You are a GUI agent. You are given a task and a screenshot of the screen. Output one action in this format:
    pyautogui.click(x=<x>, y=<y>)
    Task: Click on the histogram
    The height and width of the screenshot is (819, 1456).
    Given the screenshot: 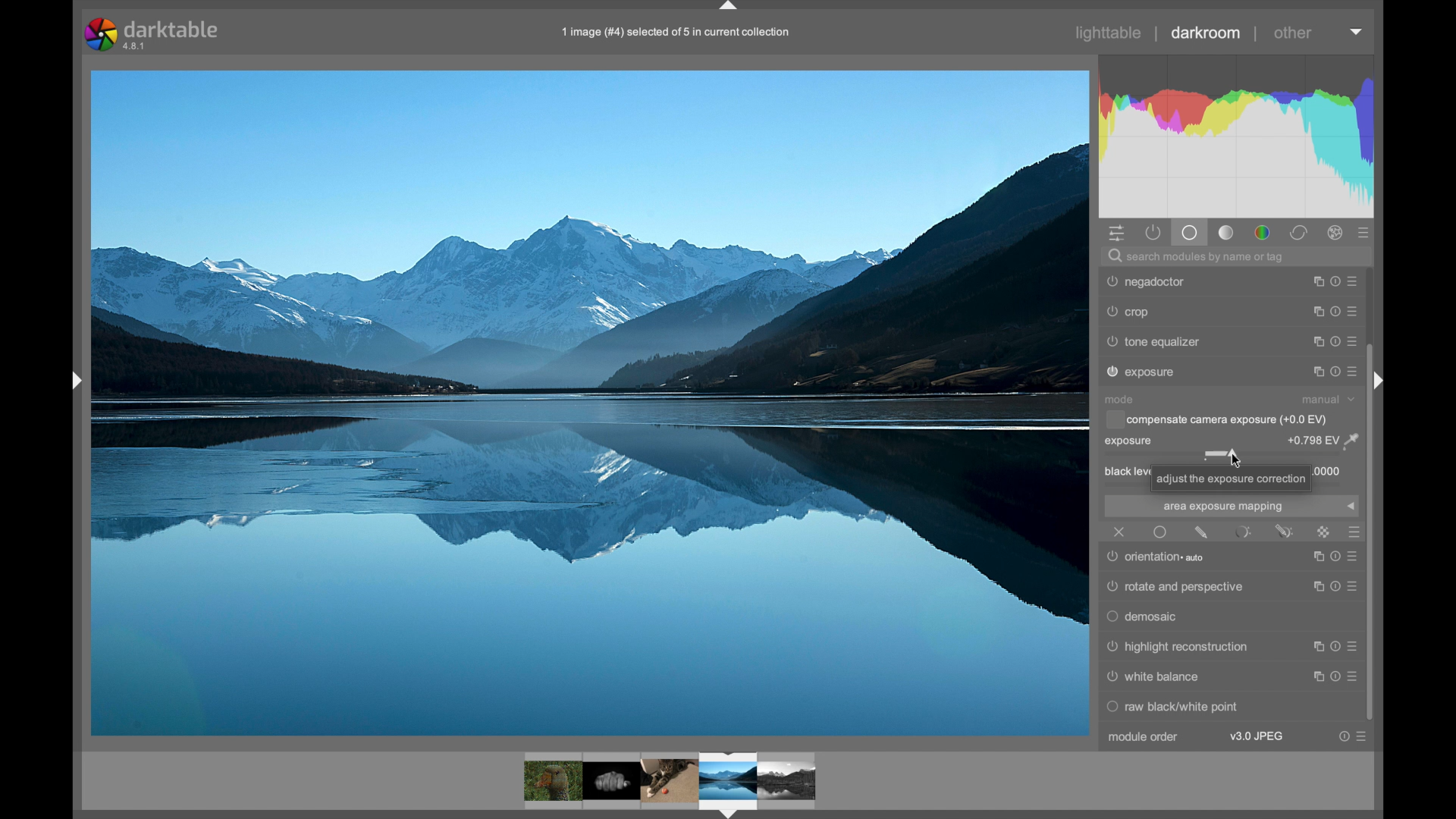 What is the action you would take?
    pyautogui.click(x=1235, y=135)
    